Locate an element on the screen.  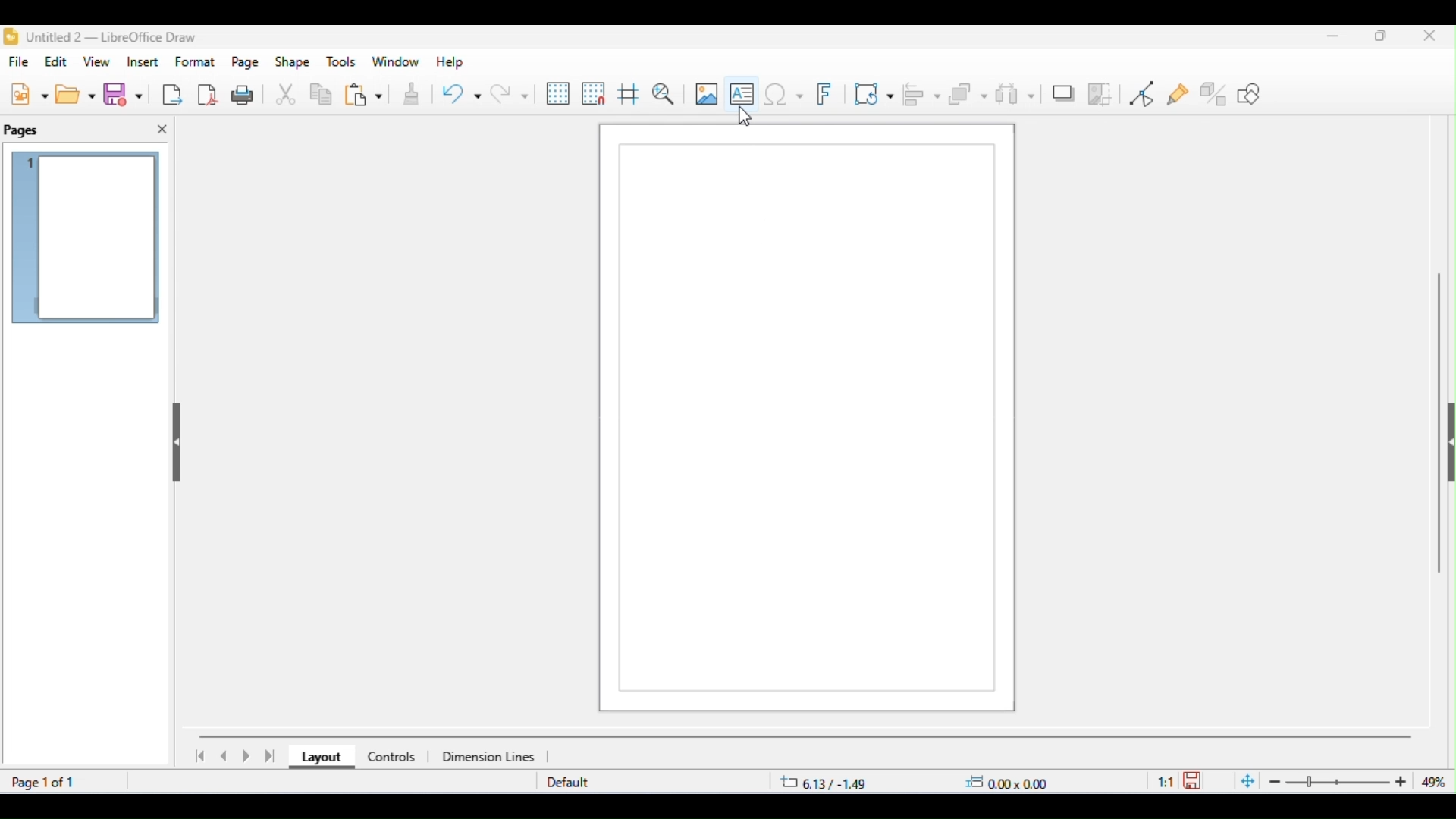
previous page is located at coordinates (224, 756).